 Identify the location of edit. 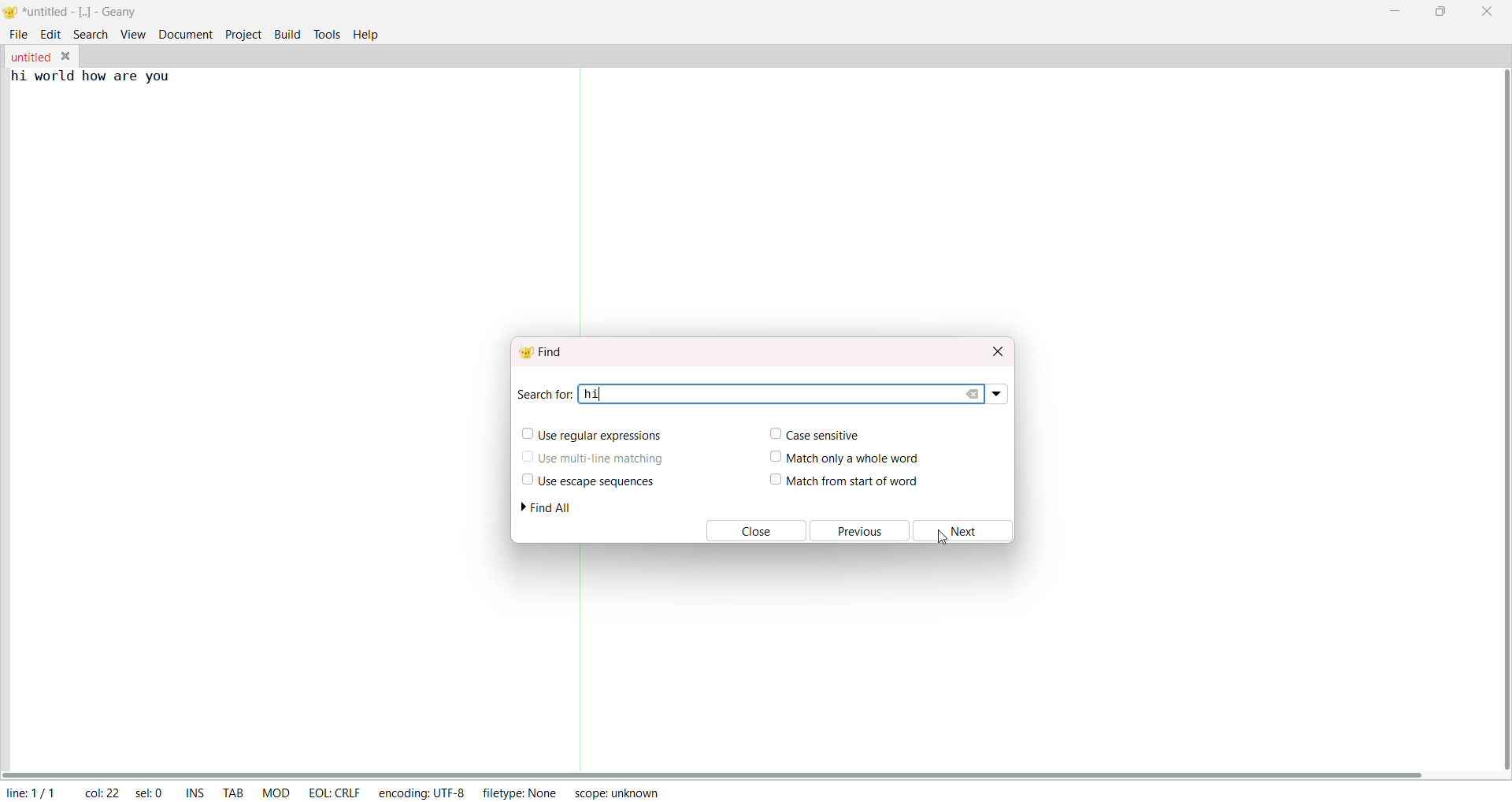
(47, 33).